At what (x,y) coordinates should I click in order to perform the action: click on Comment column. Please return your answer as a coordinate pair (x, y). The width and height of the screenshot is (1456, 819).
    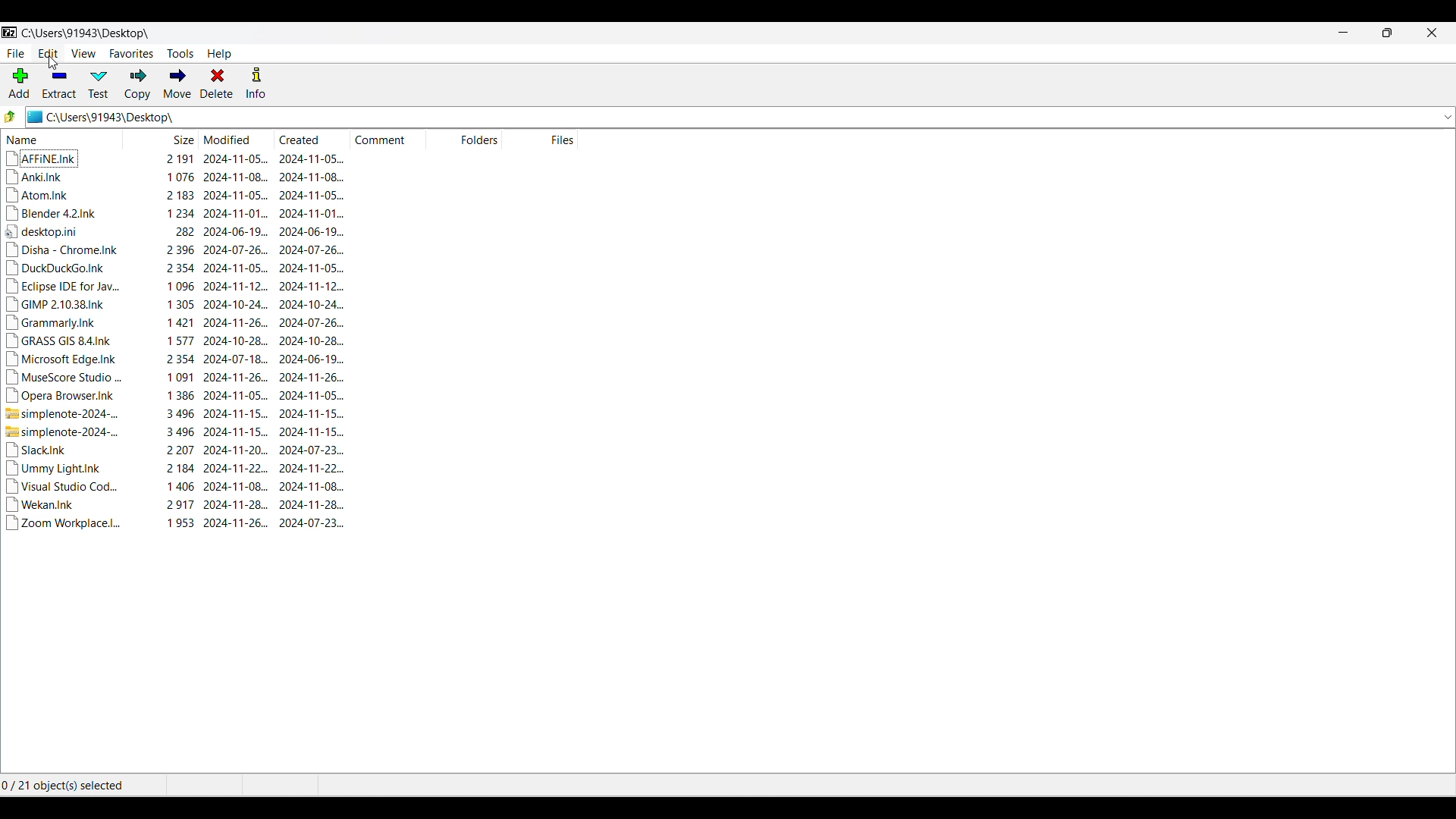
    Looking at the image, I should click on (387, 139).